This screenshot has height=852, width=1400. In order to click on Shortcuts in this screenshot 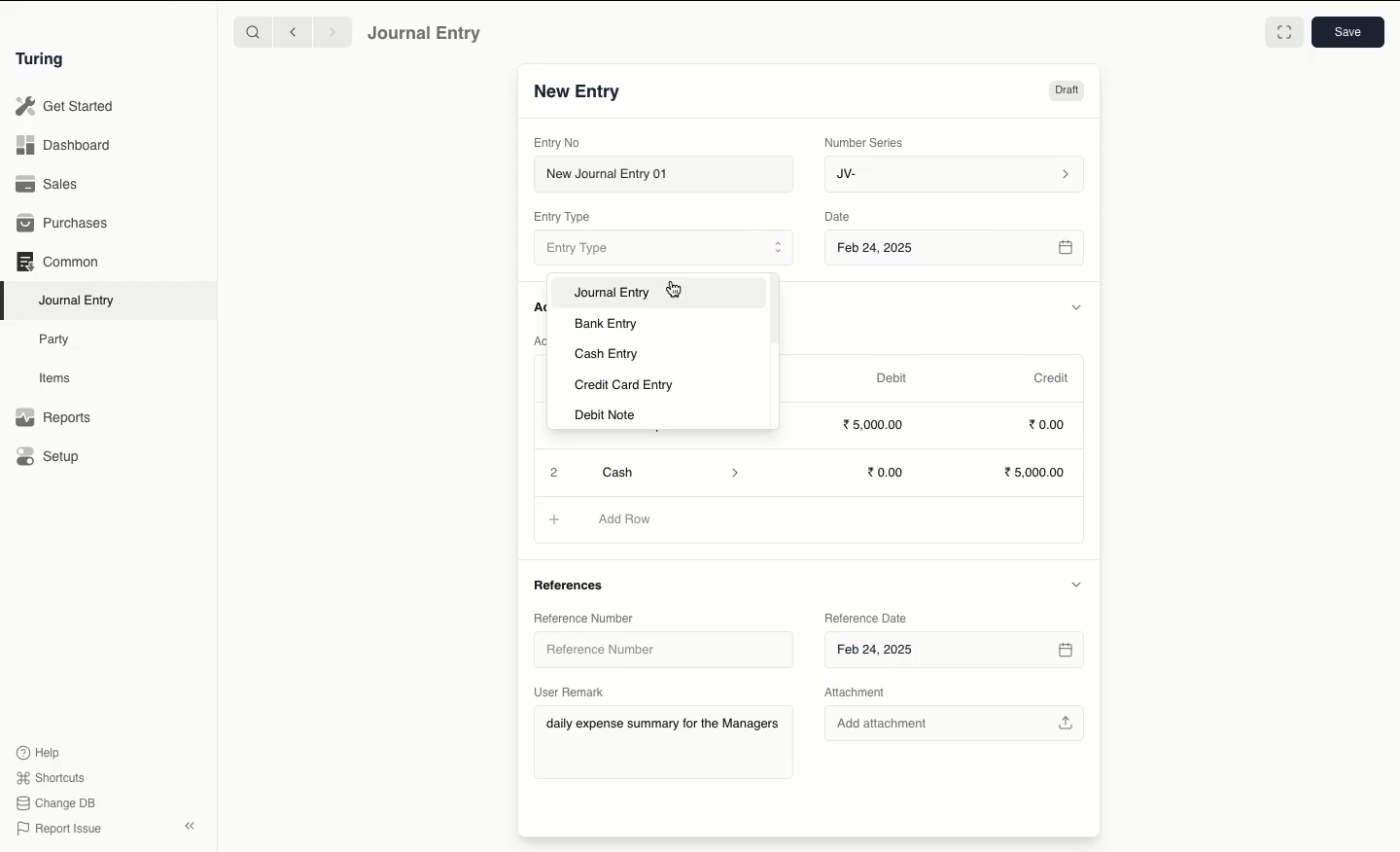, I will do `click(53, 778)`.